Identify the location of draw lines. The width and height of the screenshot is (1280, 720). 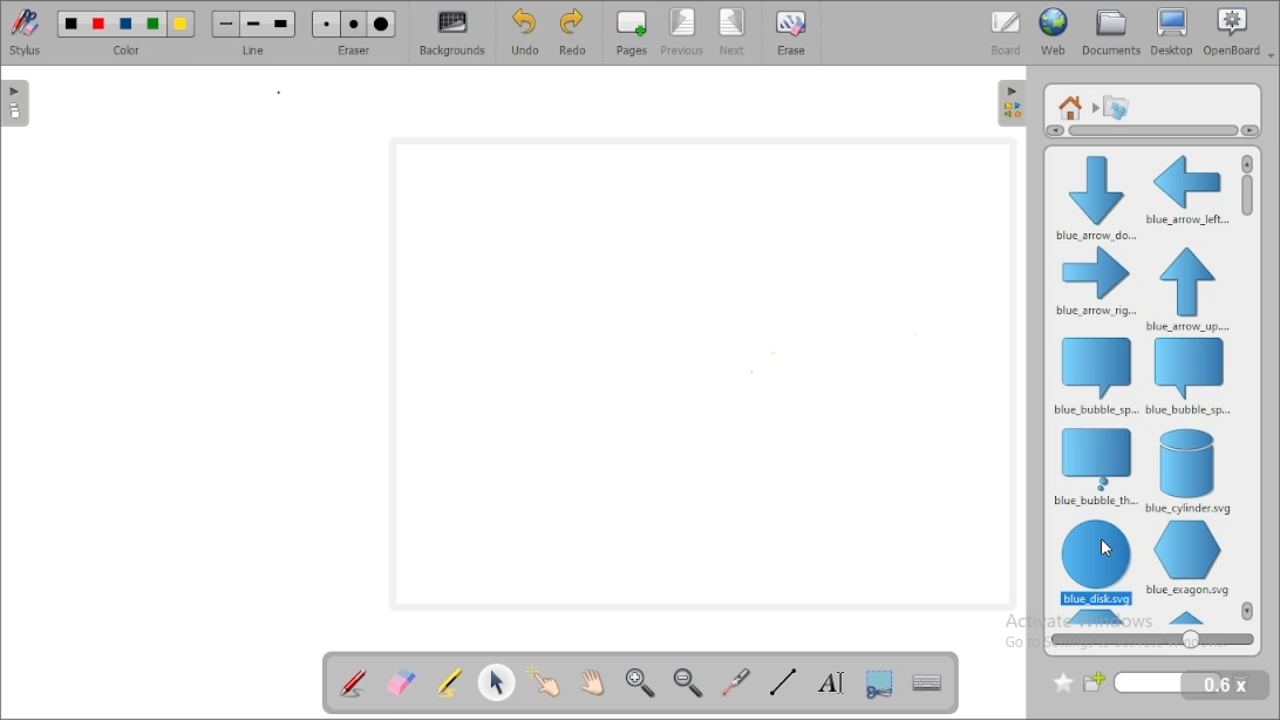
(782, 682).